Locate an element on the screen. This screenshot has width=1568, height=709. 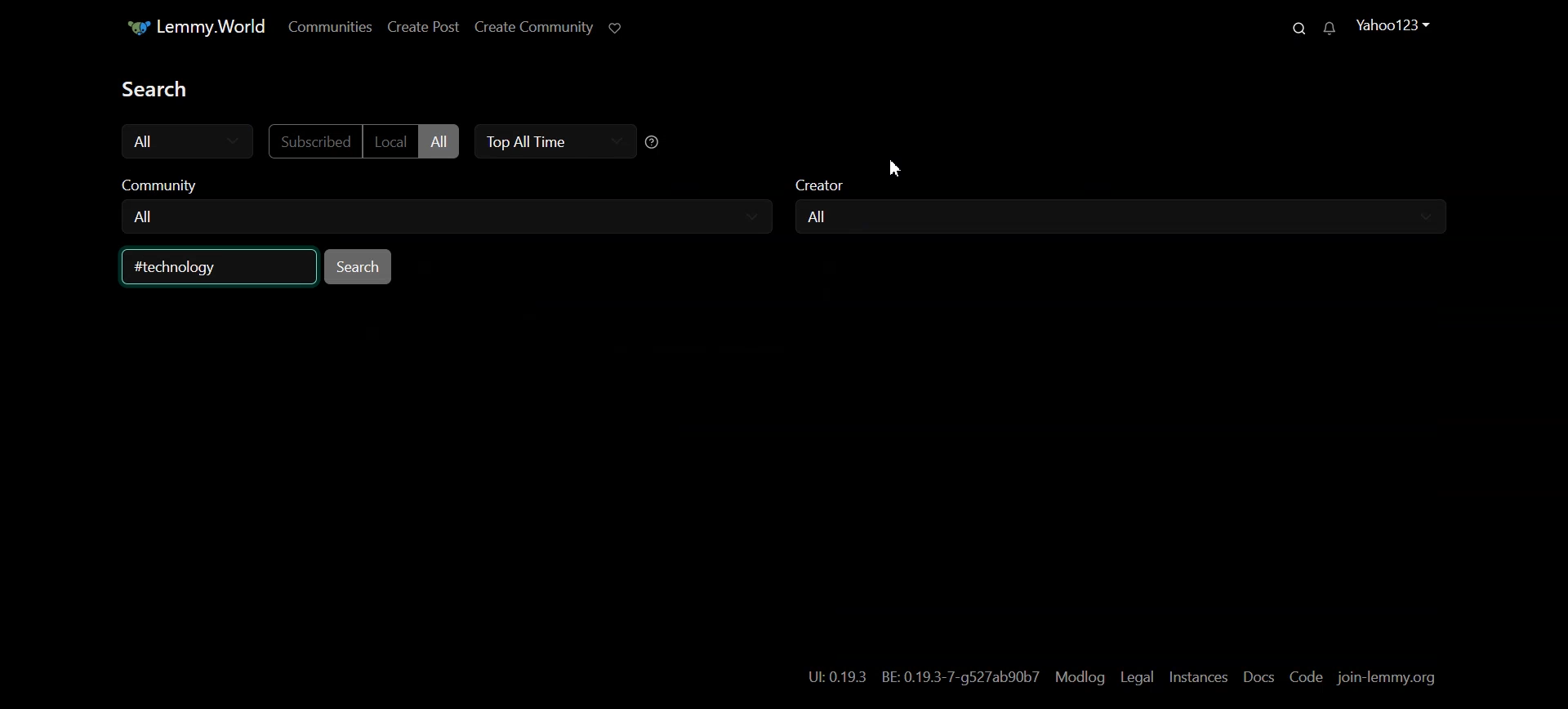
Search is located at coordinates (1293, 27).